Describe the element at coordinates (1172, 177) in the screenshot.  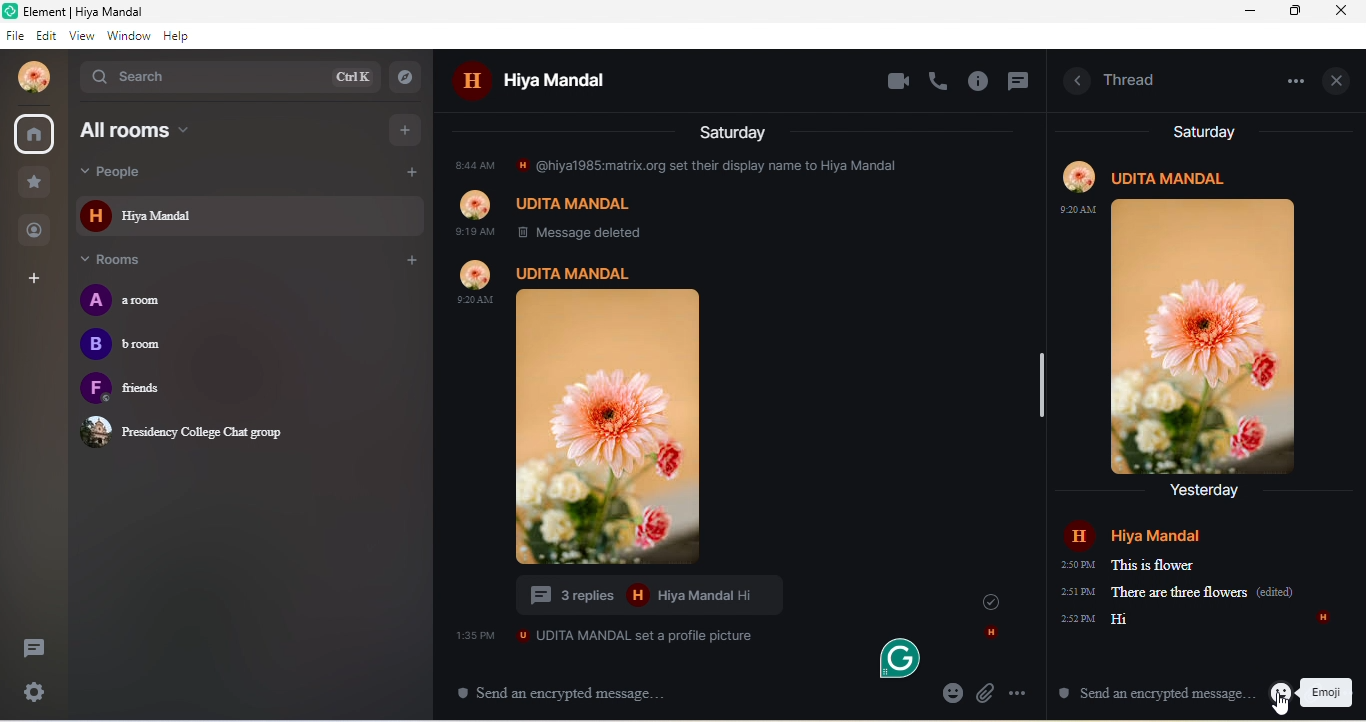
I see `UDITA MANDAL` at that location.